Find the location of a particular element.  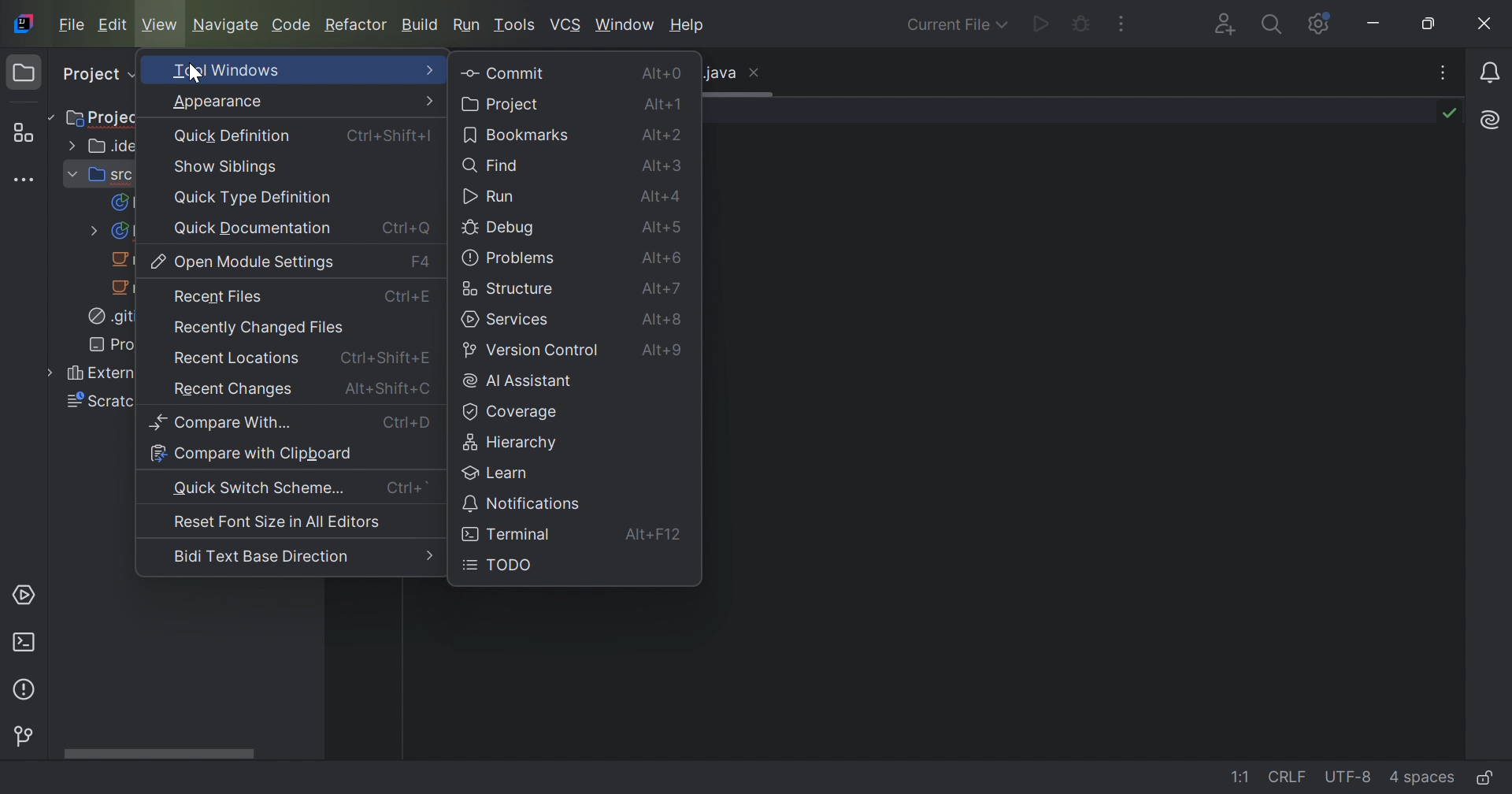

Alt+9 is located at coordinates (665, 353).